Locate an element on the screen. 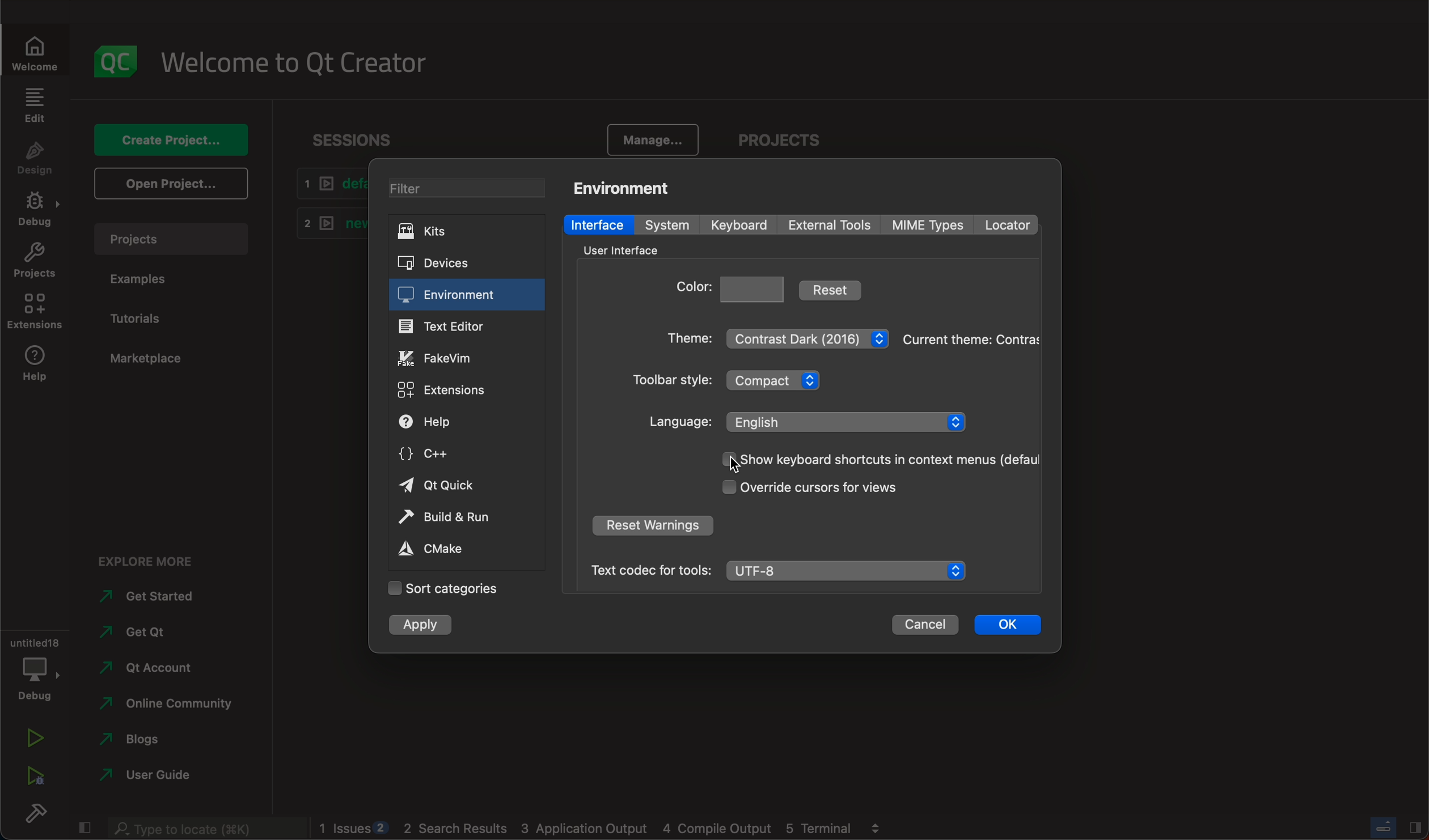 Image resolution: width=1429 pixels, height=840 pixels. text code is located at coordinates (776, 569).